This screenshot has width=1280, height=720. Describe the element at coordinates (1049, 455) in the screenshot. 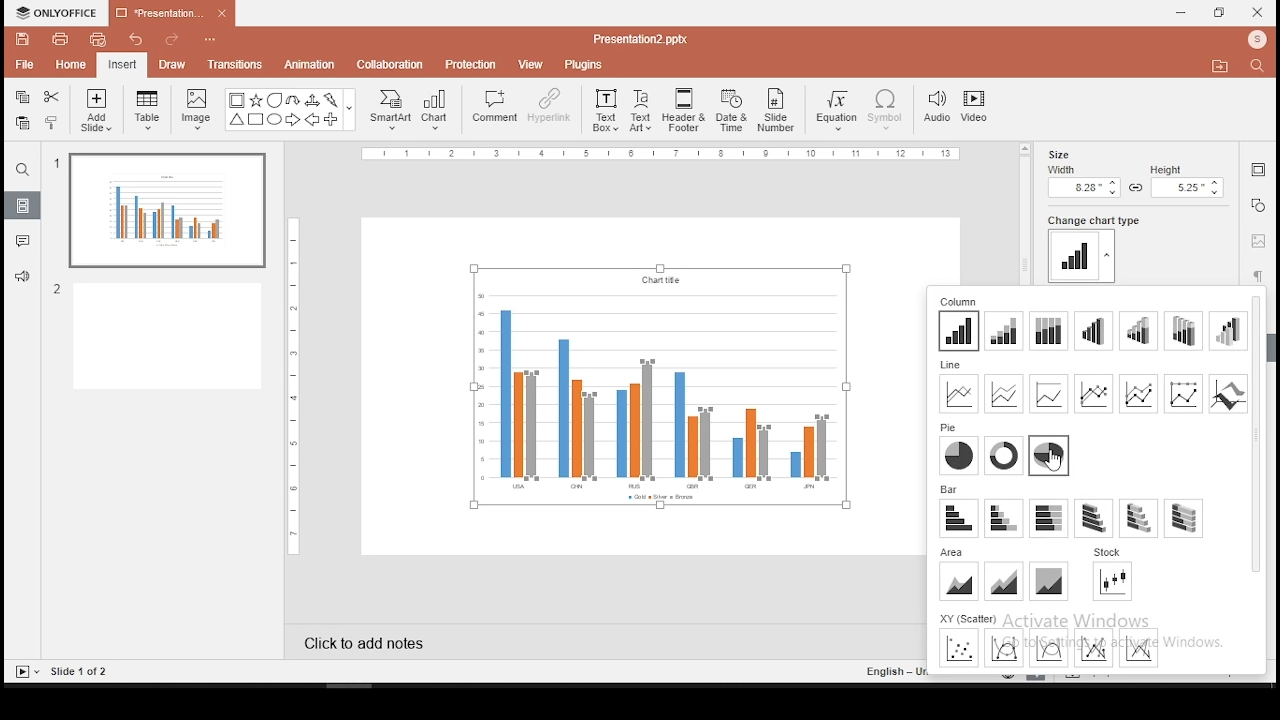

I see `pie 3` at that location.